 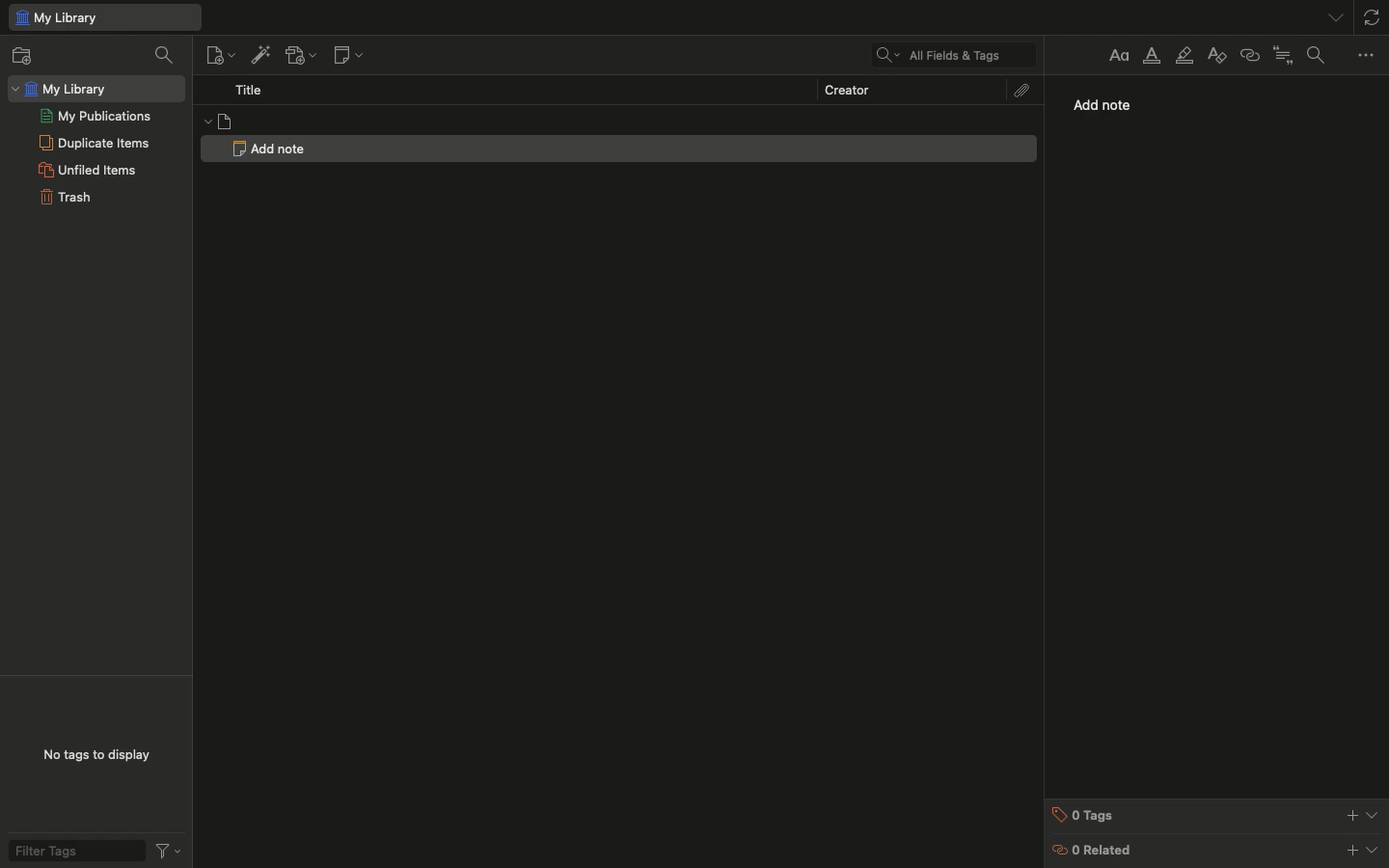 I want to click on Hide, so click(x=1338, y=16).